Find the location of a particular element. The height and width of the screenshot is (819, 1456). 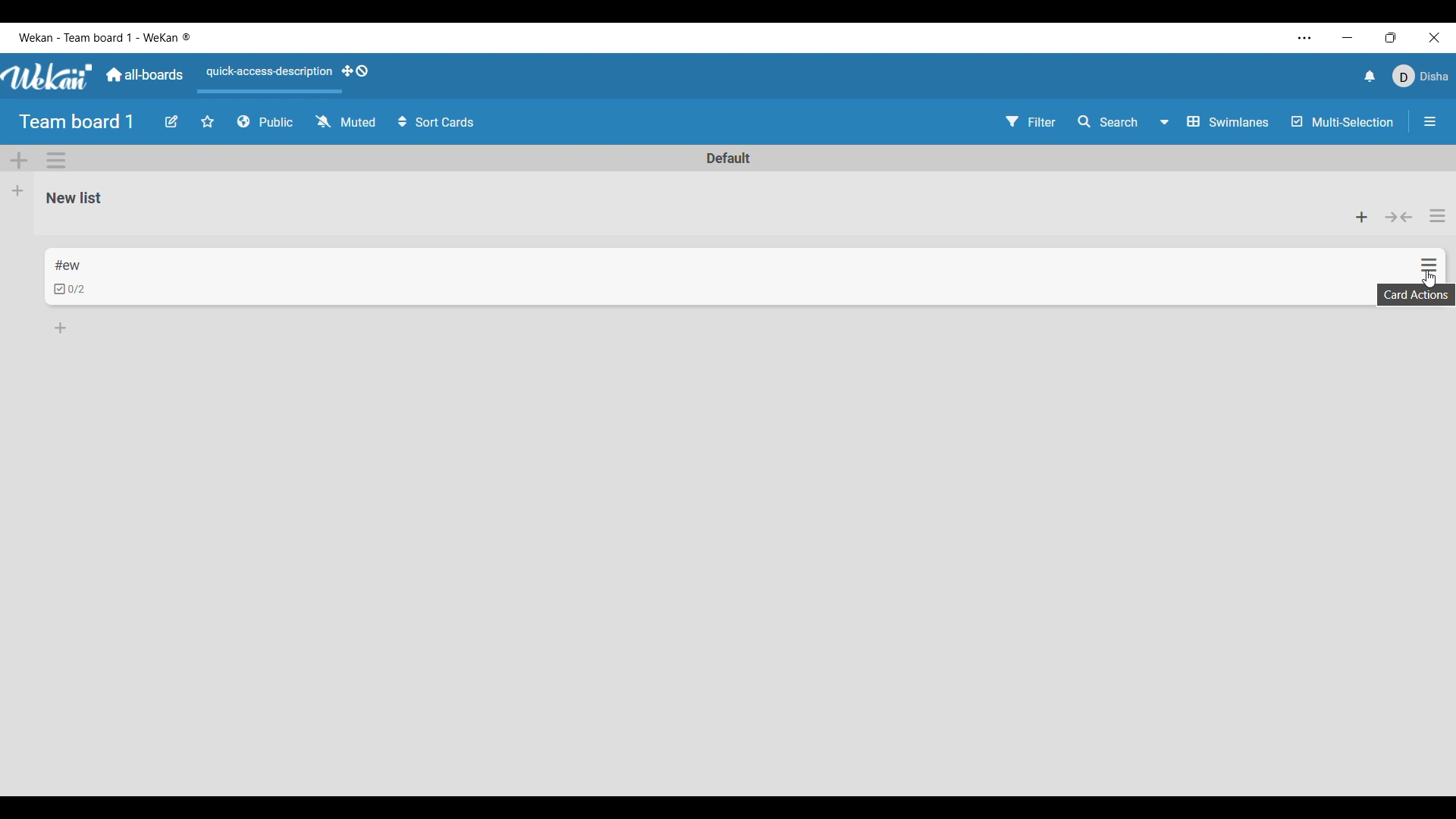

Card name is located at coordinates (67, 265).